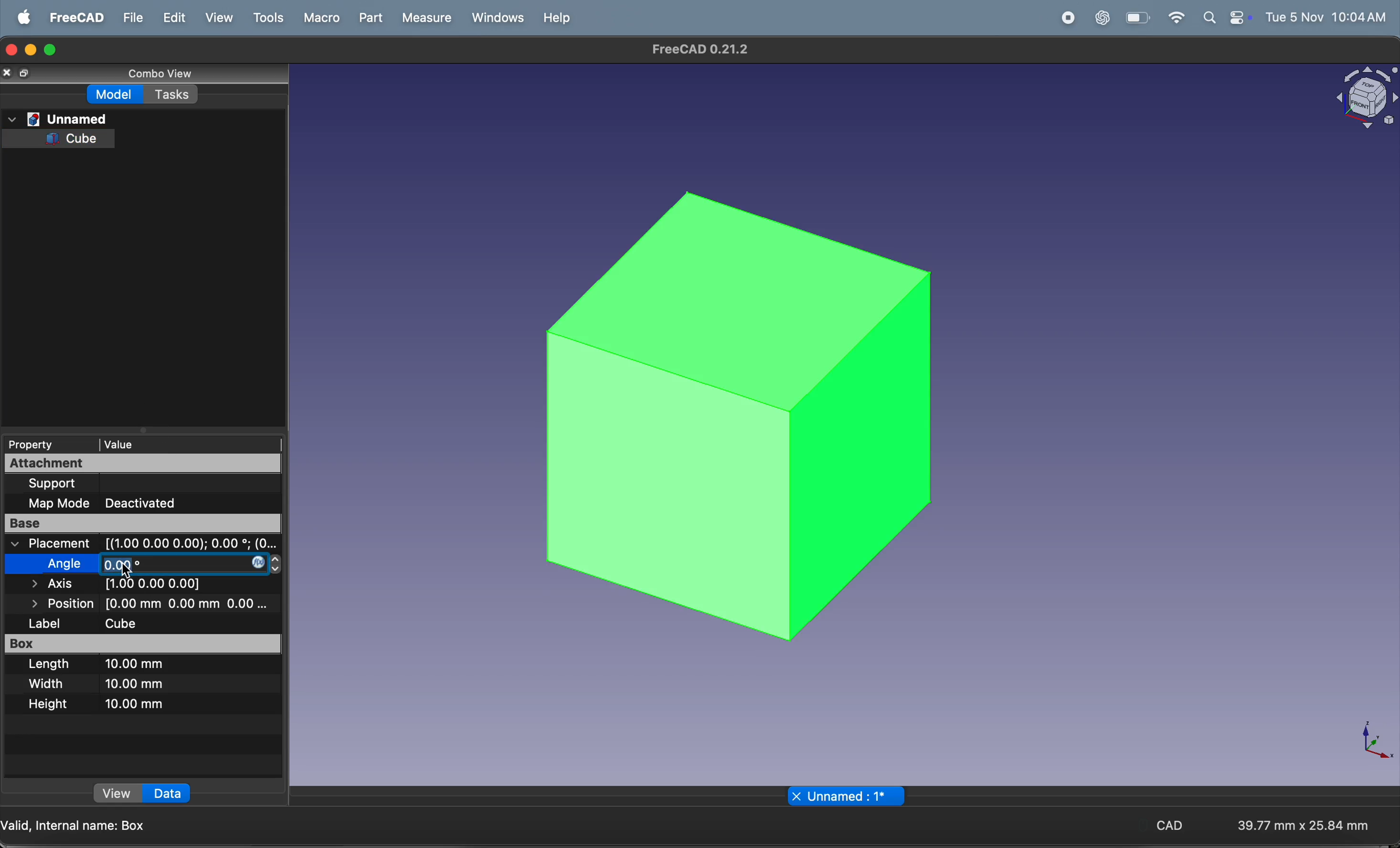 The image size is (1400, 848). What do you see at coordinates (559, 18) in the screenshot?
I see `help` at bounding box center [559, 18].